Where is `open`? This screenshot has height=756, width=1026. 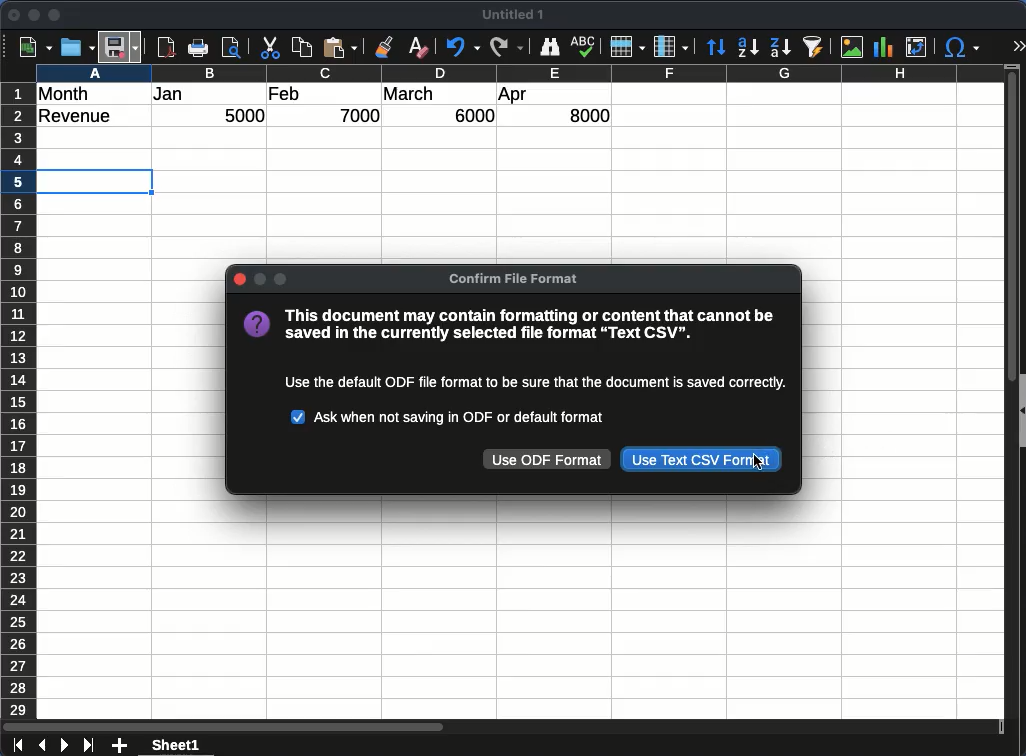
open is located at coordinates (76, 48).